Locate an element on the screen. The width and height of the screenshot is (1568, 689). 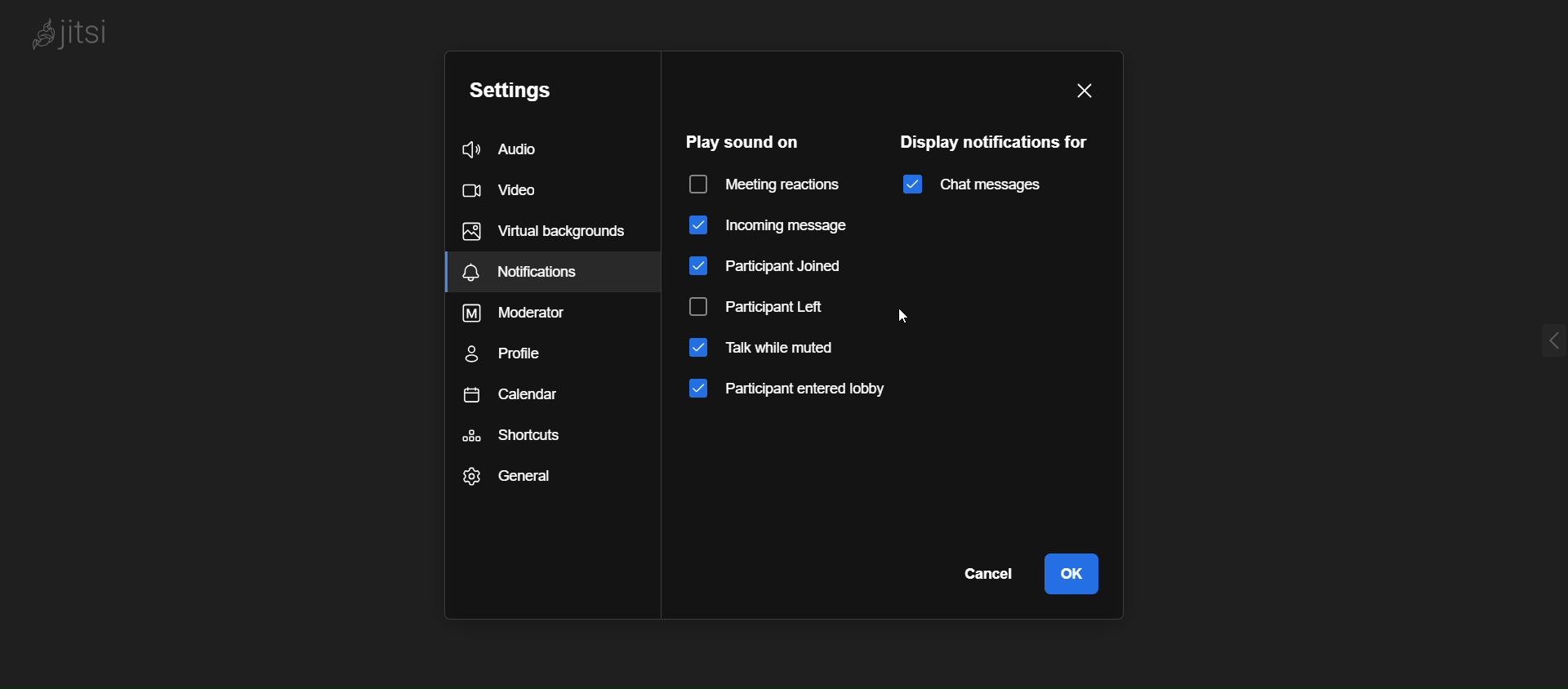
meeting reaction is located at coordinates (768, 186).